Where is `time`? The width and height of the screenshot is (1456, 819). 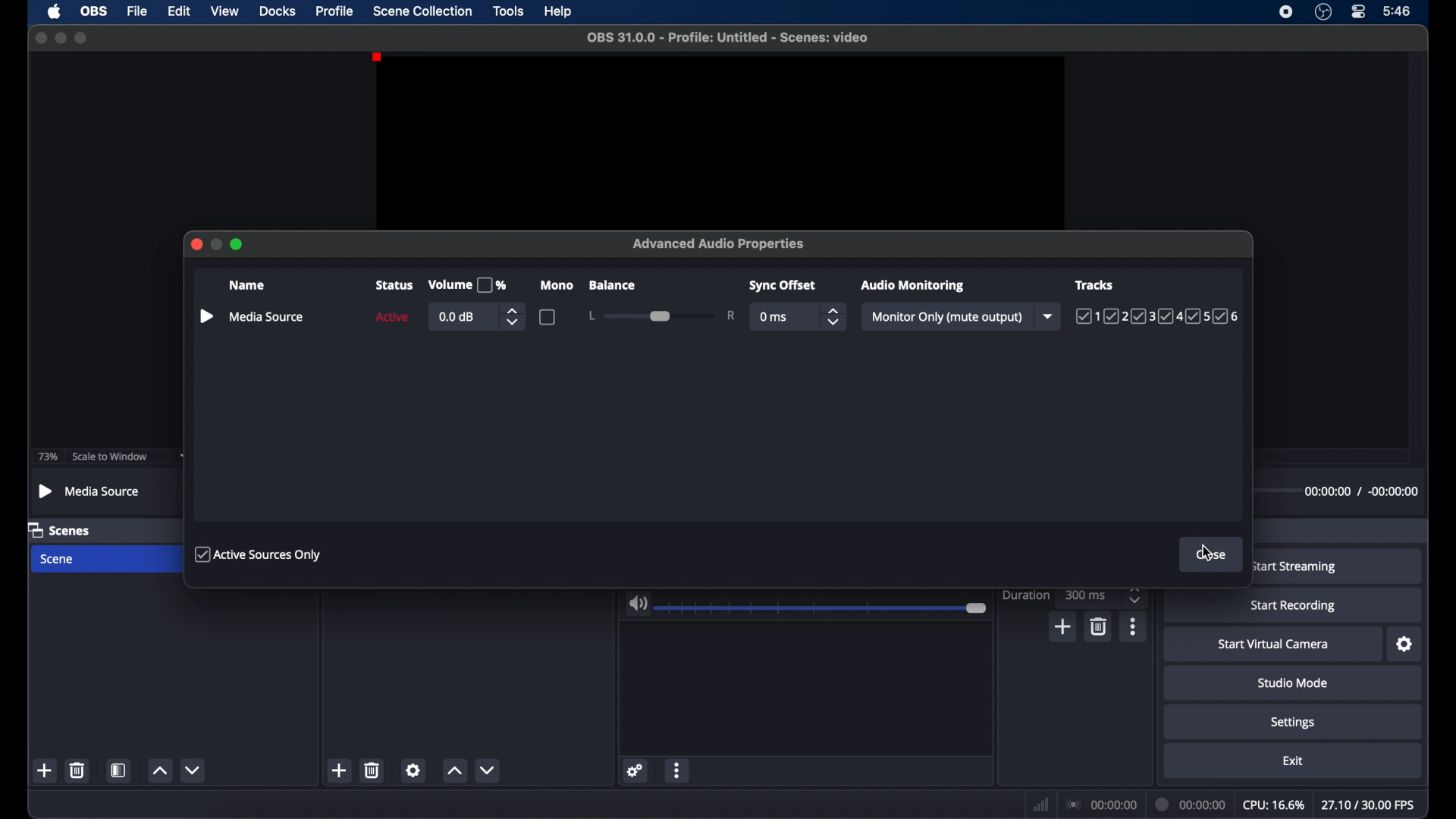 time is located at coordinates (1396, 10).